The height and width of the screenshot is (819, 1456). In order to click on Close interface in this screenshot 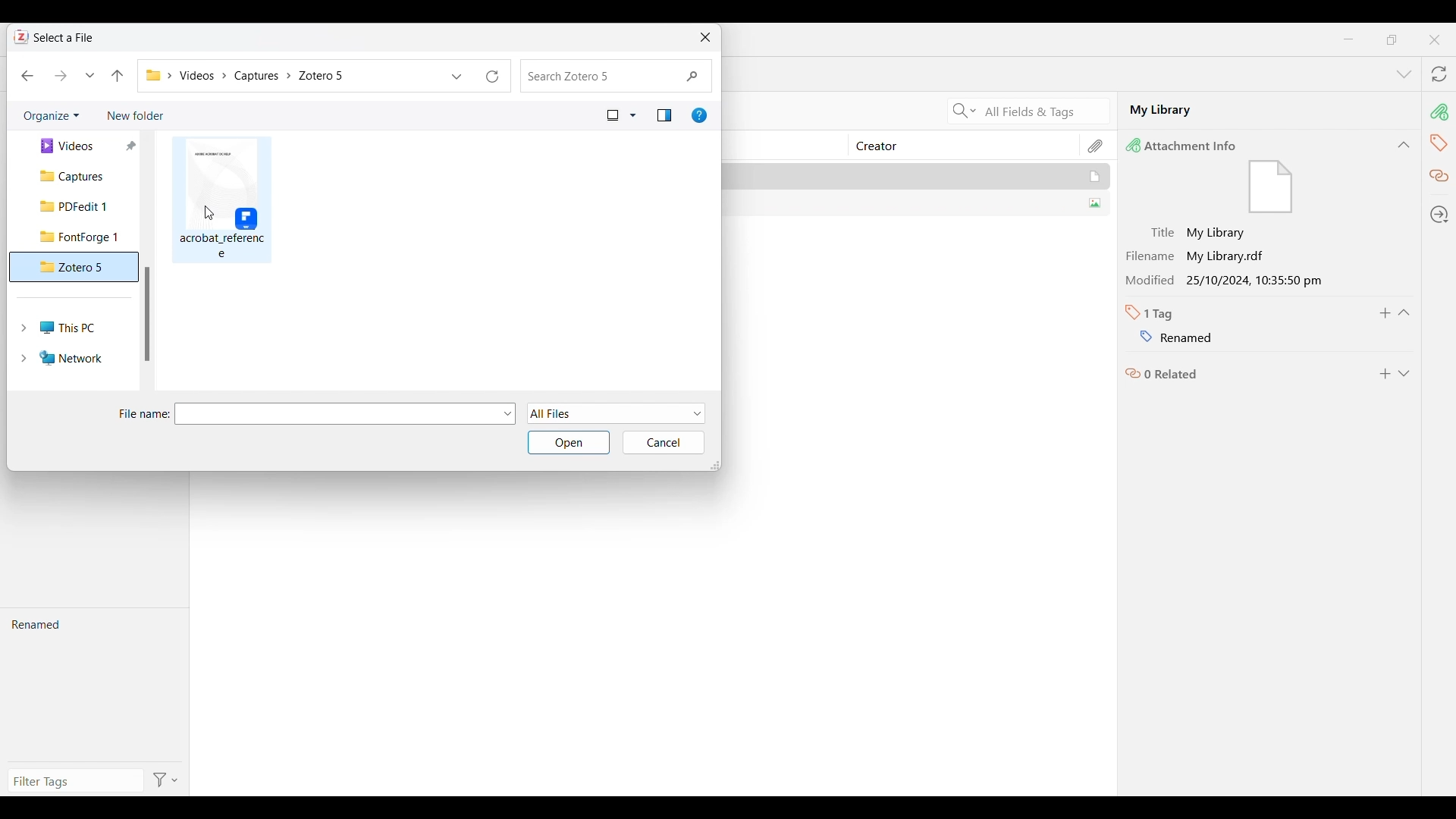, I will do `click(1434, 39)`.